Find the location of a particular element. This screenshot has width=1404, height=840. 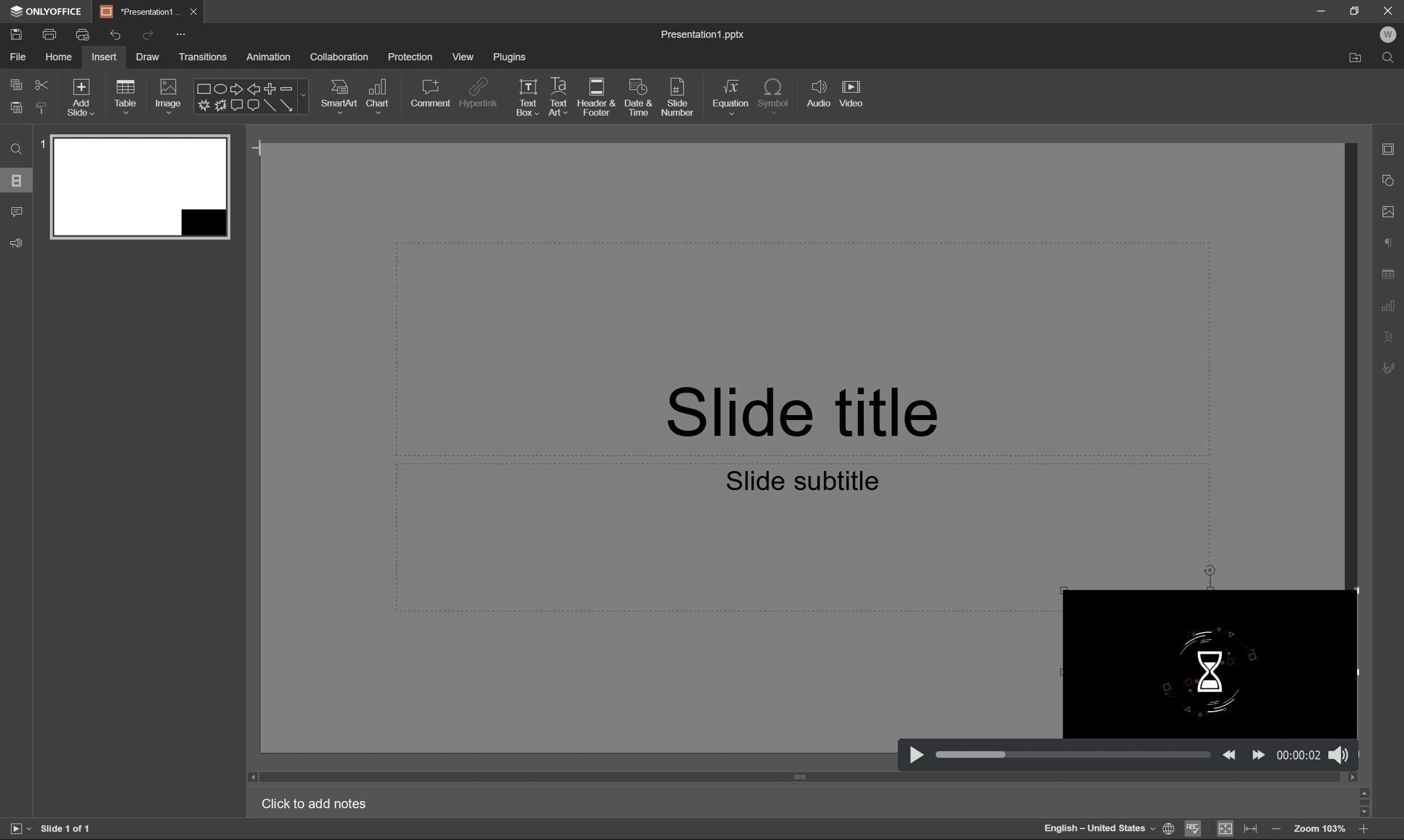

Close is located at coordinates (1388, 10).